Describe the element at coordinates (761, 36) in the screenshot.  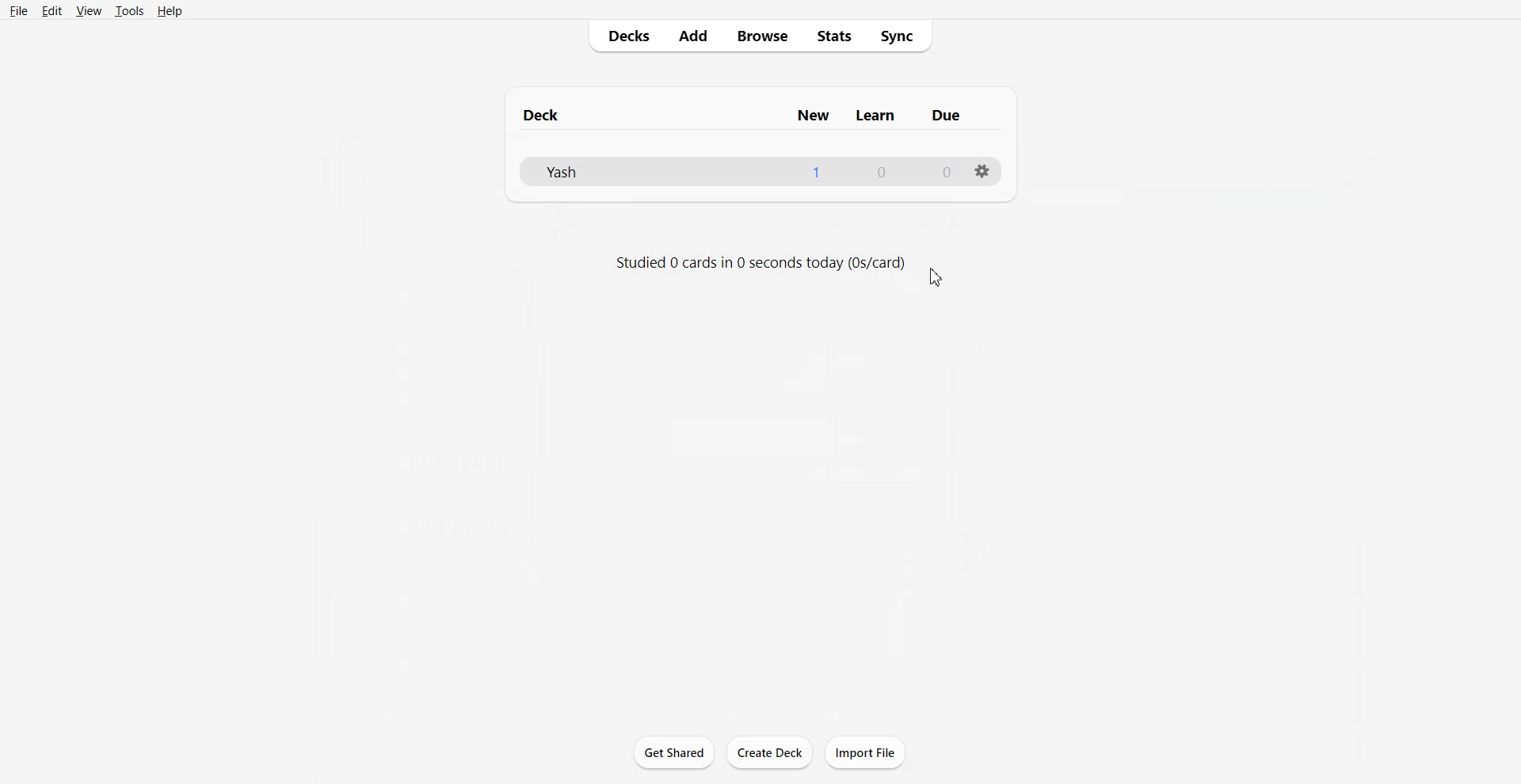
I see `Browser` at that location.